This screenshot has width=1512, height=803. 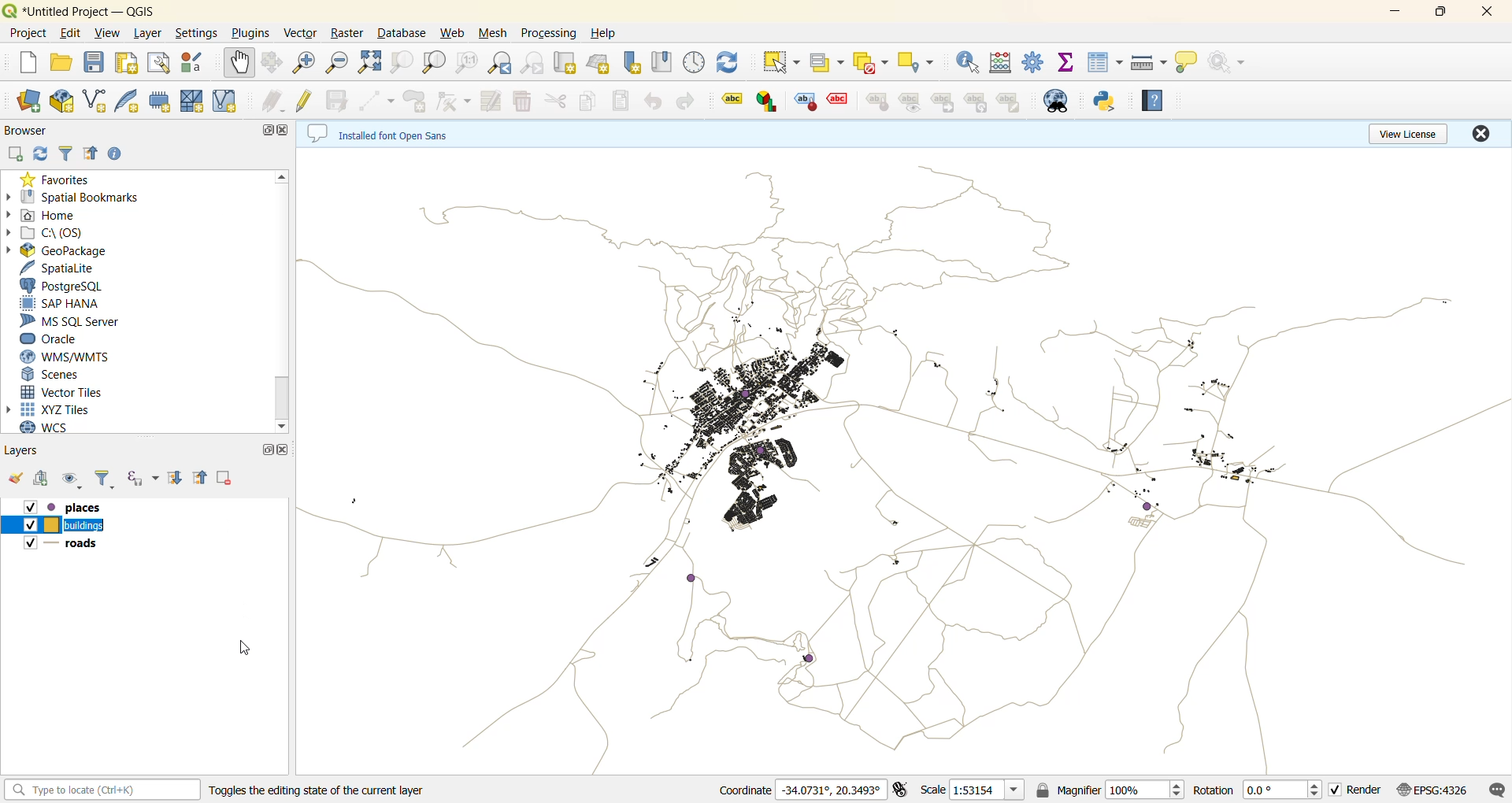 I want to click on layers, so click(x=28, y=451).